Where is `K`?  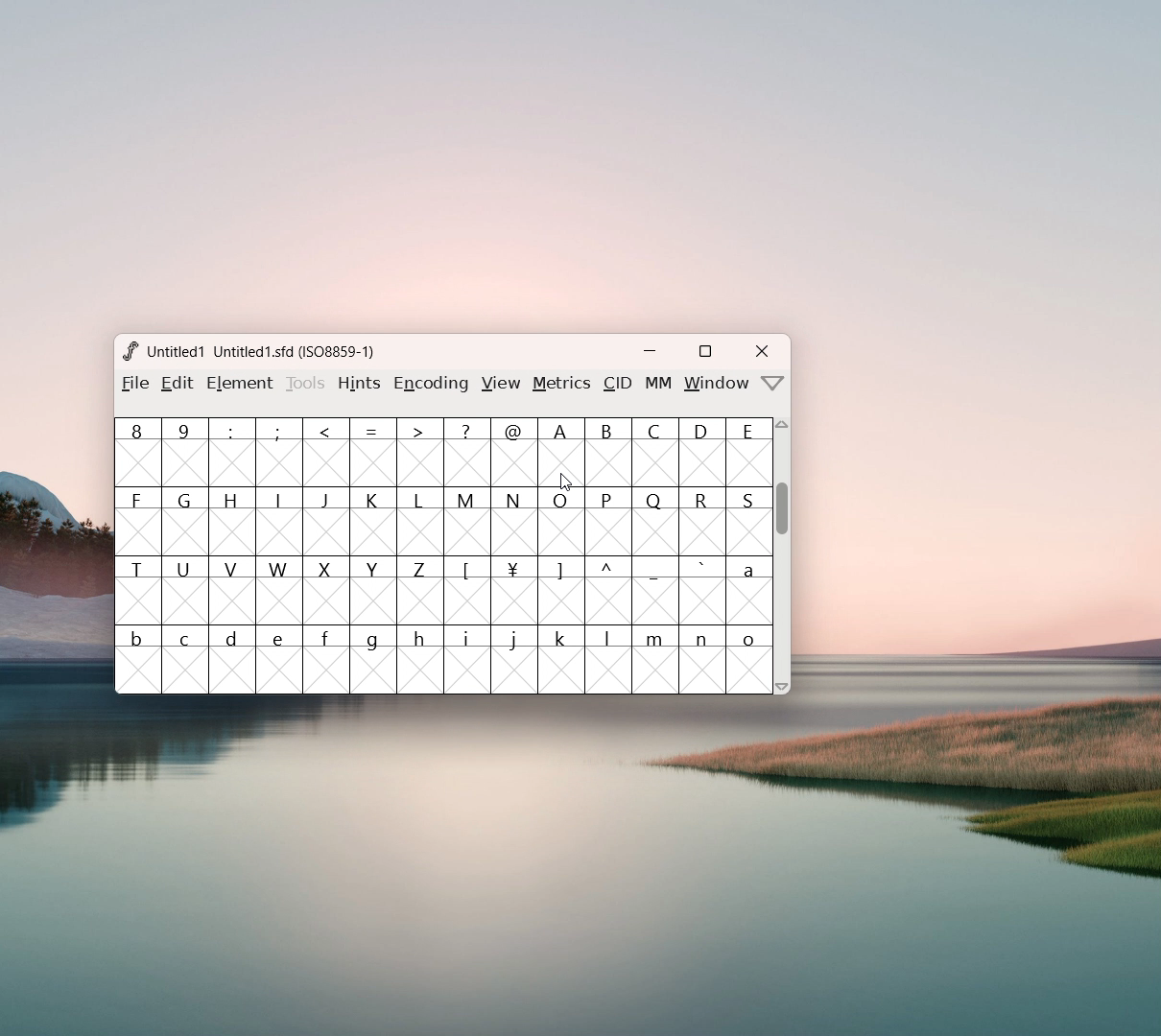 K is located at coordinates (374, 521).